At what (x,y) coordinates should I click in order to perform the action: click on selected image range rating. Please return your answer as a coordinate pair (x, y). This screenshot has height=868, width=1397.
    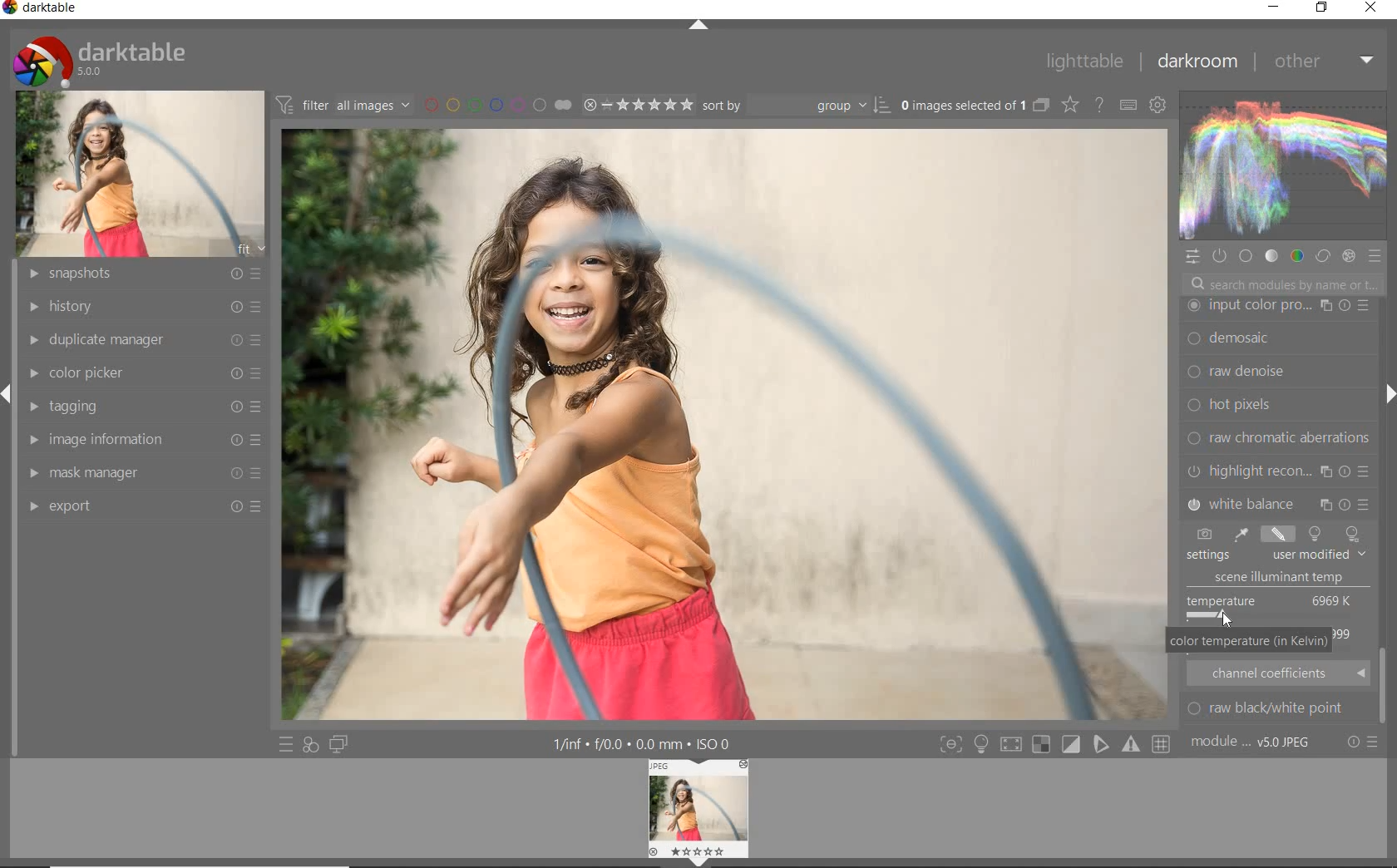
    Looking at the image, I should click on (637, 103).